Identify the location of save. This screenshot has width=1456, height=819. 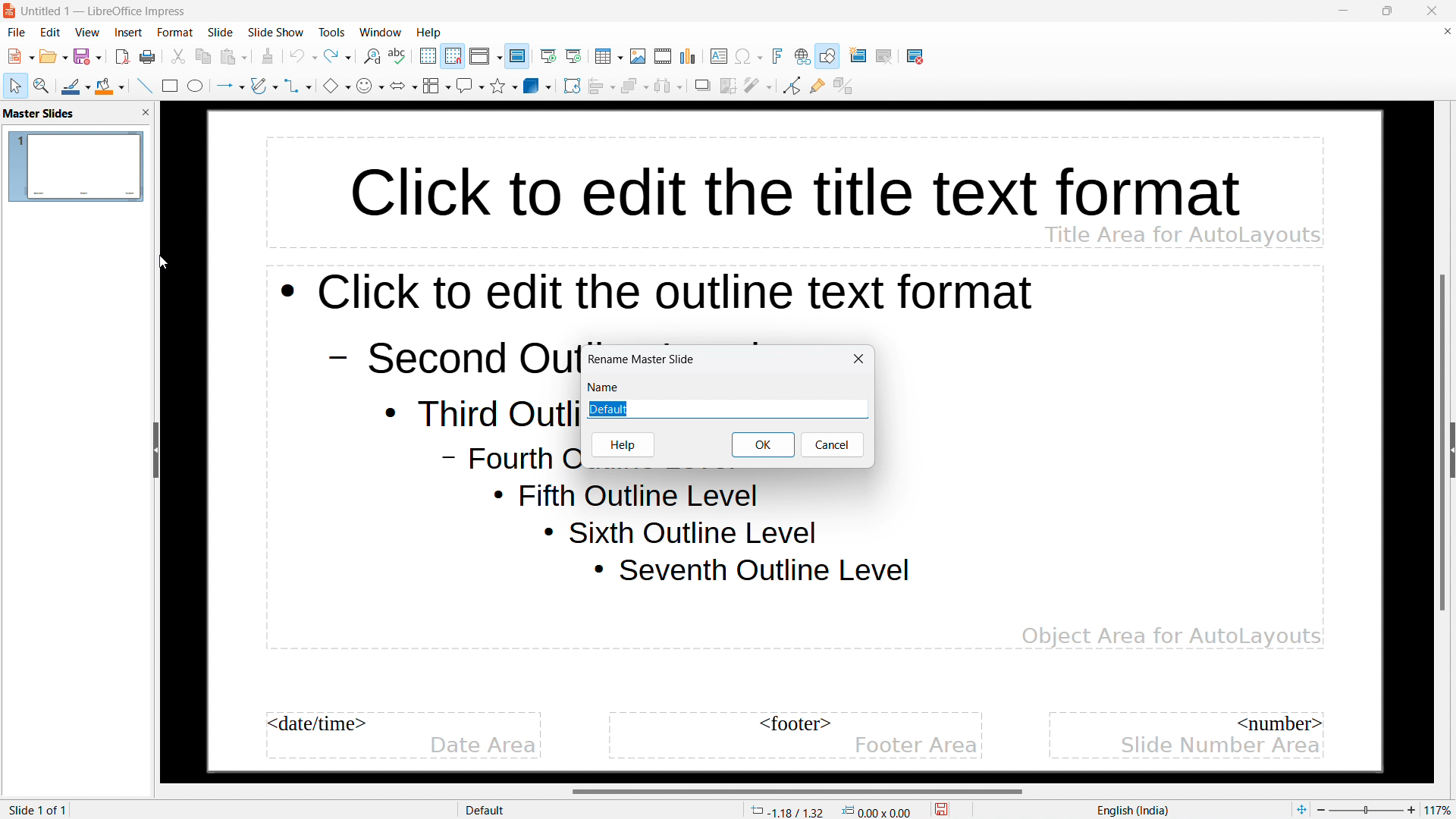
(942, 808).